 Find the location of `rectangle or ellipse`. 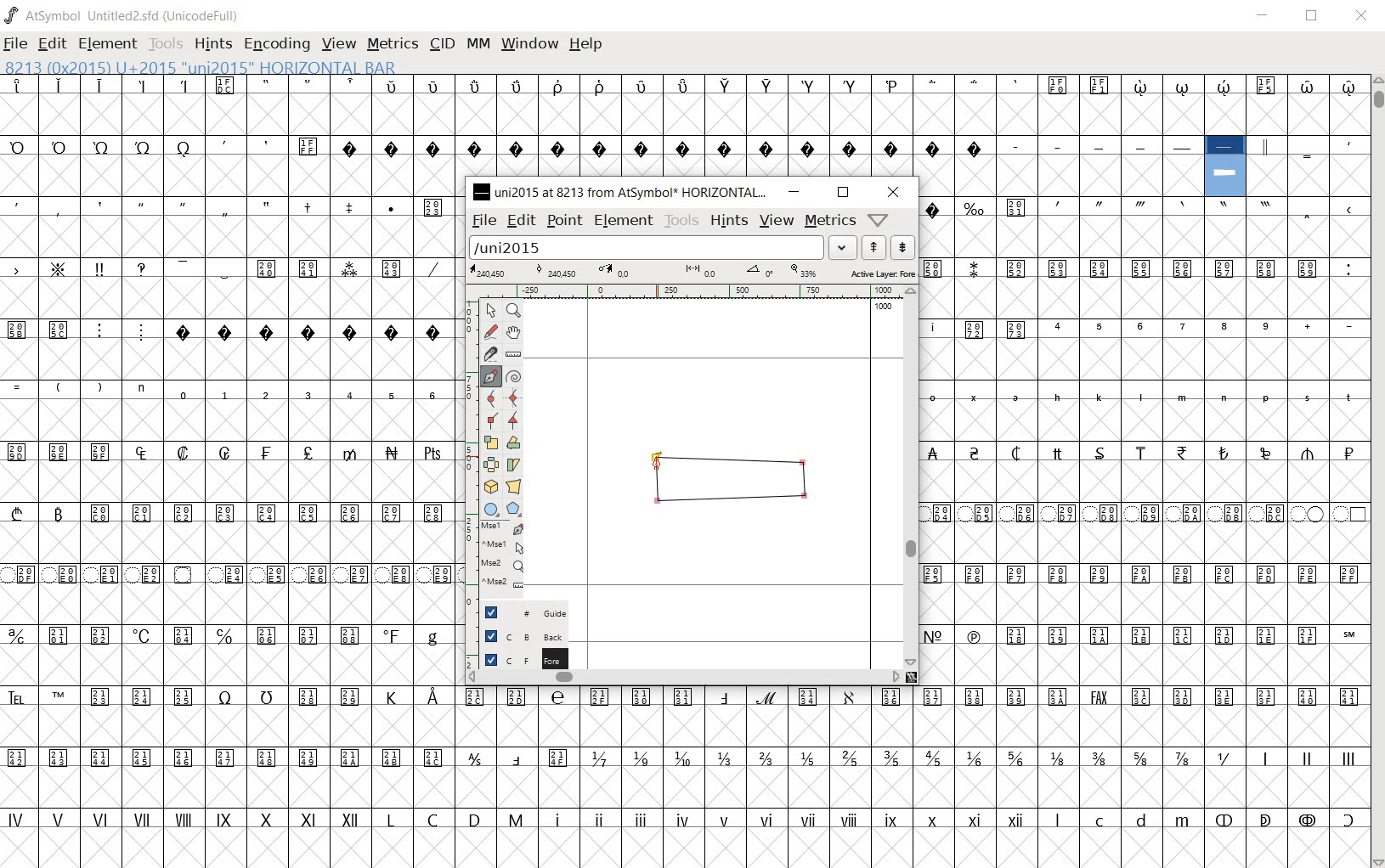

rectangle or ellipse is located at coordinates (489, 509).